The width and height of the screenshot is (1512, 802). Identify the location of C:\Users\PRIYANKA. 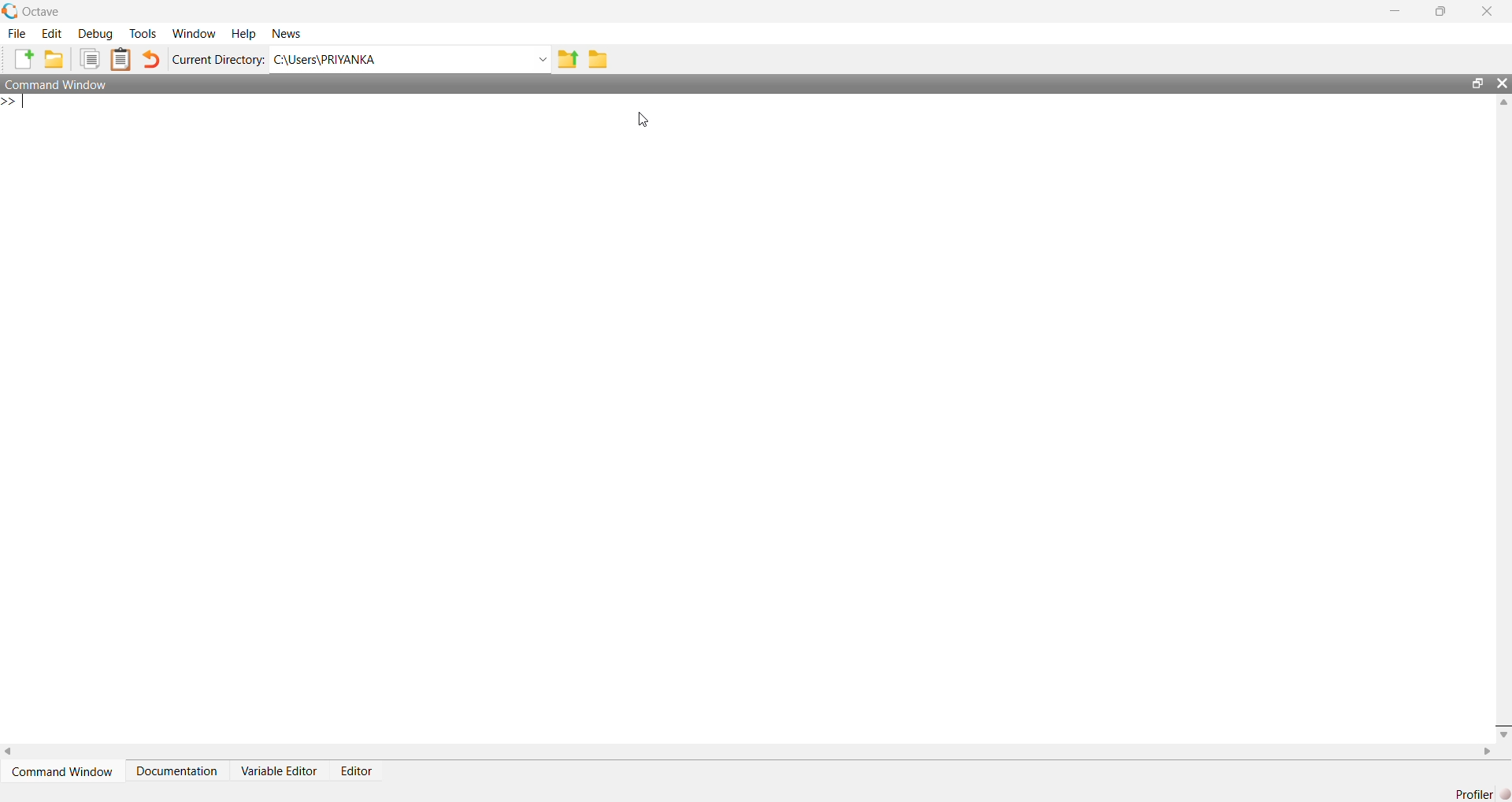
(396, 59).